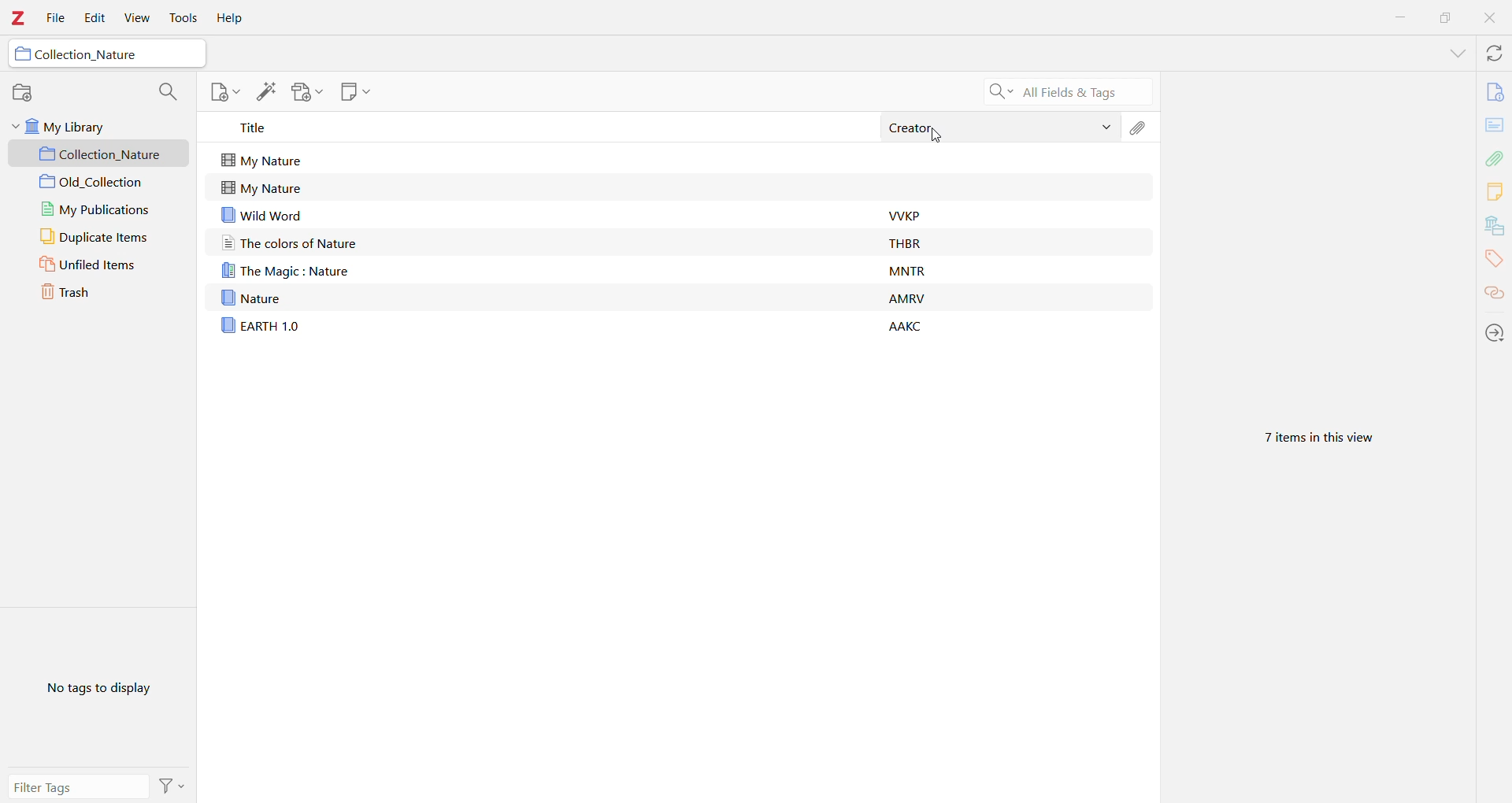 The height and width of the screenshot is (803, 1512). I want to click on Nature, so click(259, 298).